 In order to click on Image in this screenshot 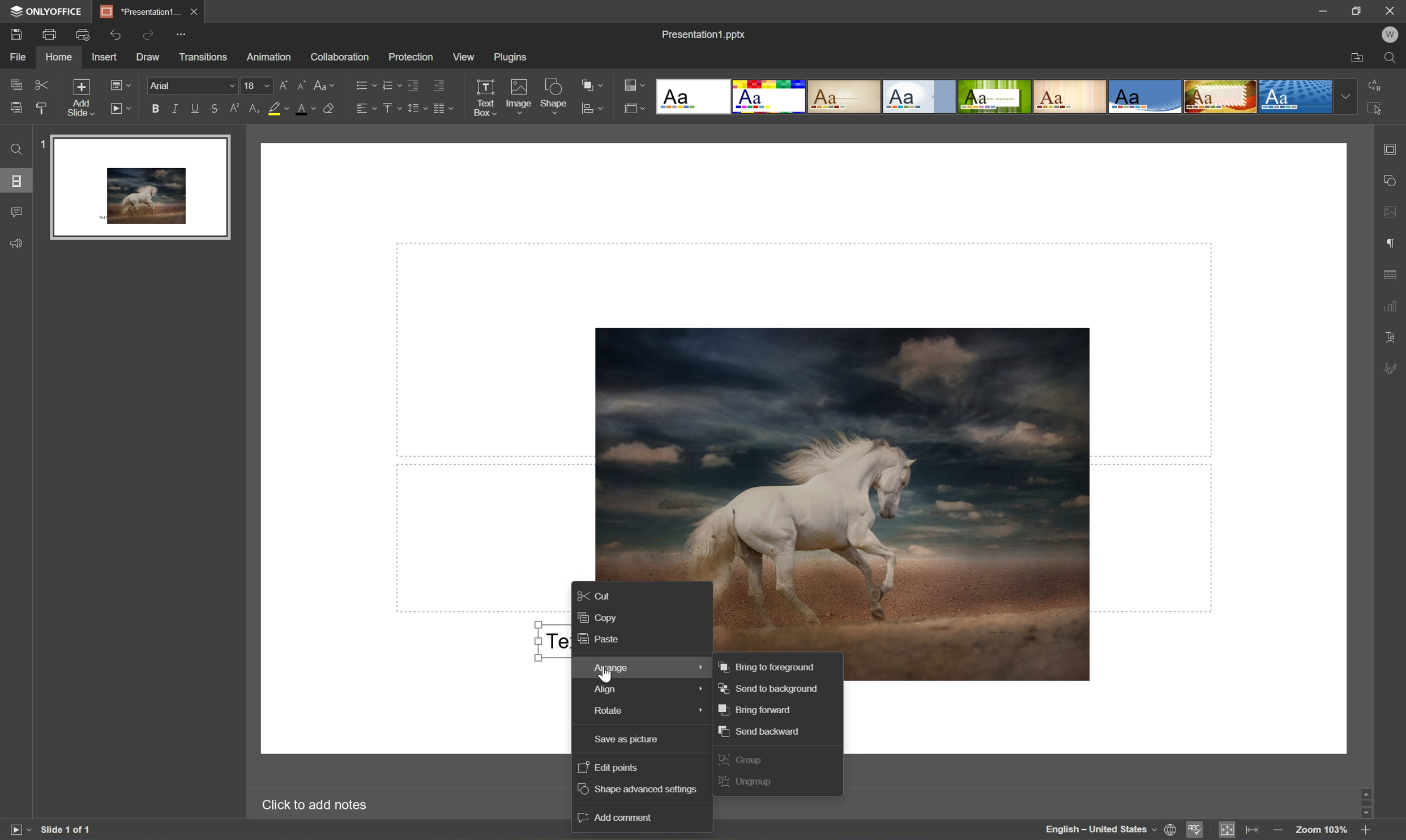, I will do `click(860, 488)`.